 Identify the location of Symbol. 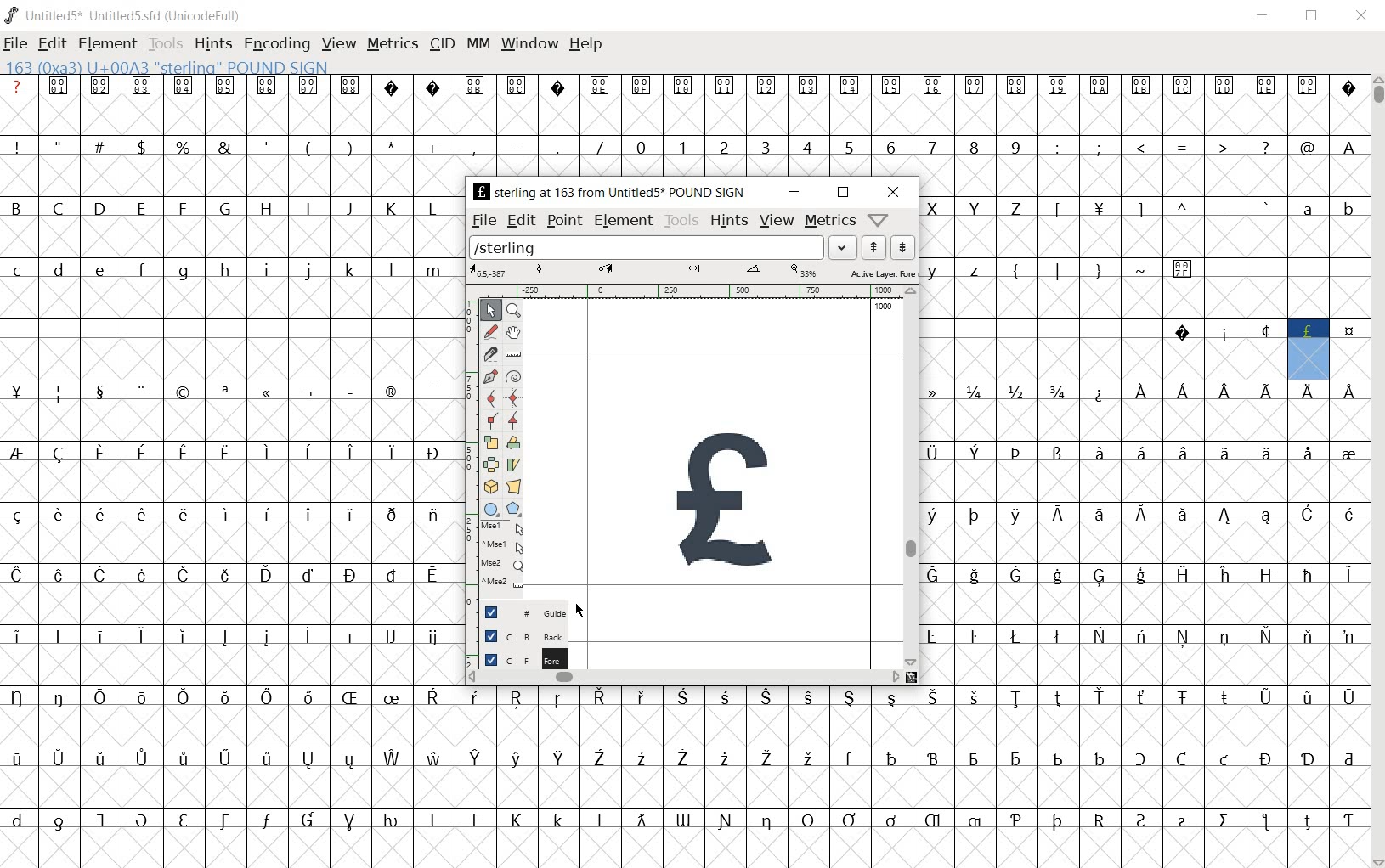
(265, 637).